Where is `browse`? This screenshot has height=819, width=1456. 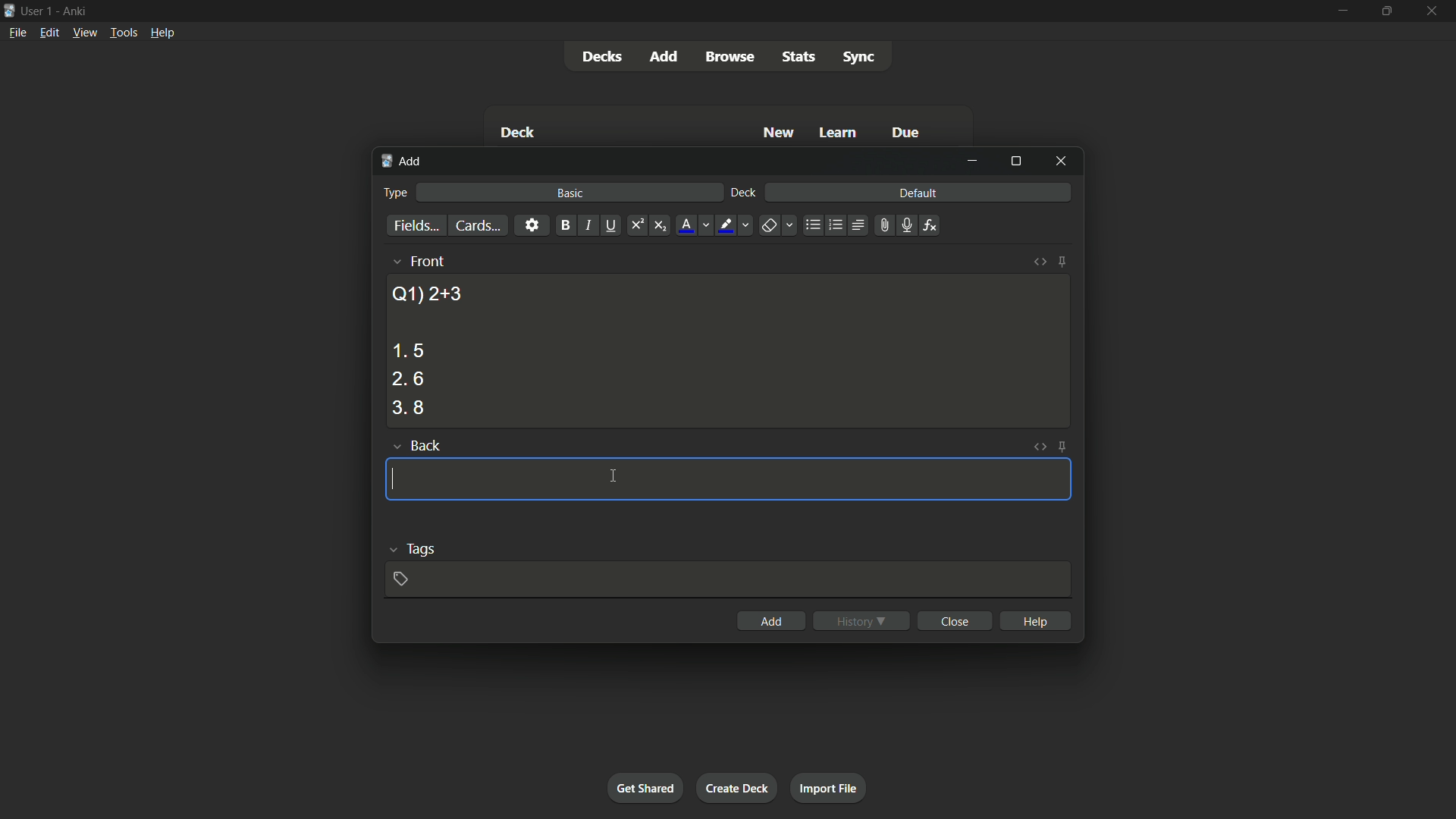 browse is located at coordinates (730, 57).